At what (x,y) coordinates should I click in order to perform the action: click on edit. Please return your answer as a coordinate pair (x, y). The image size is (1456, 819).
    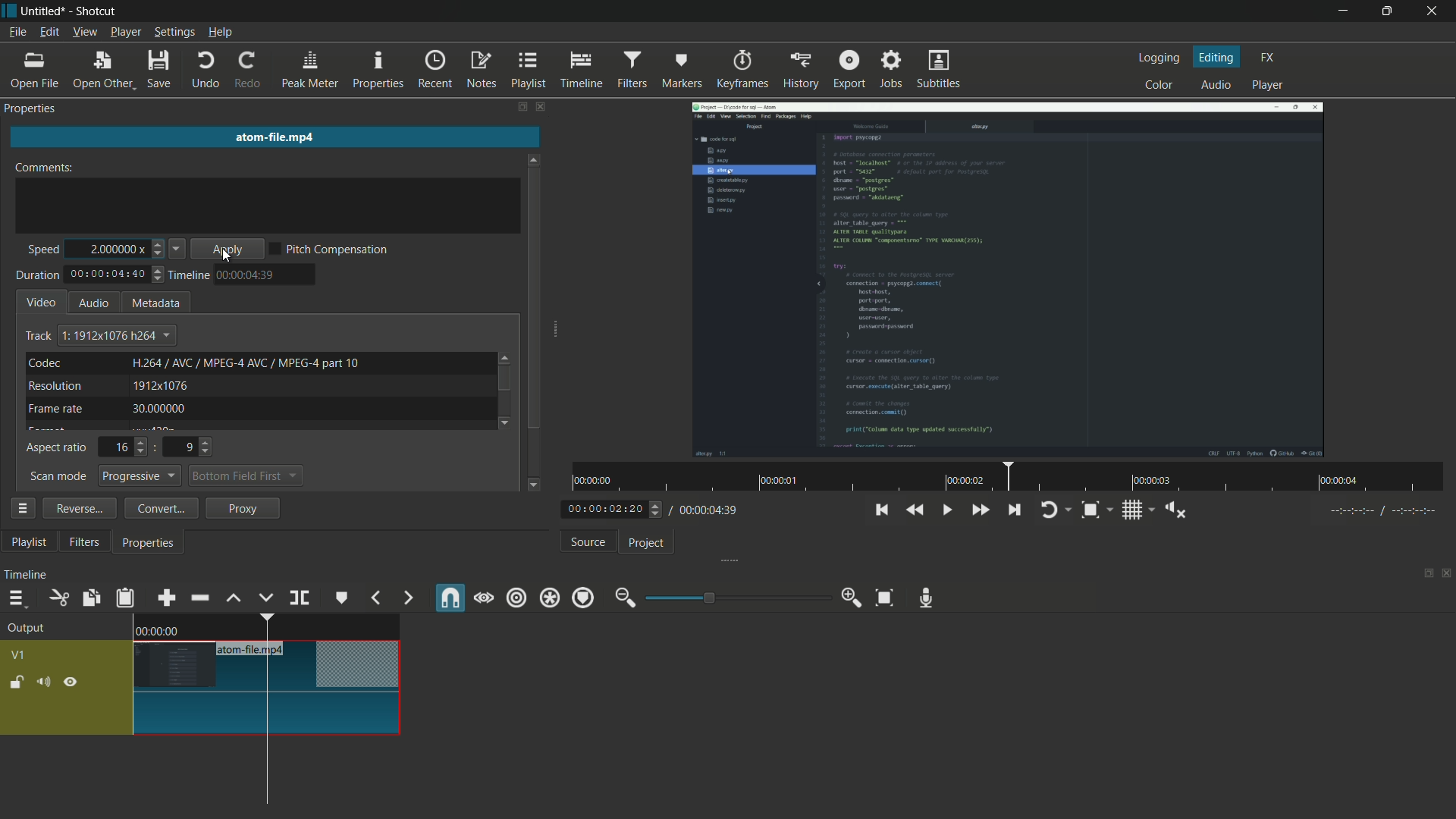
    Looking at the image, I should click on (49, 33).